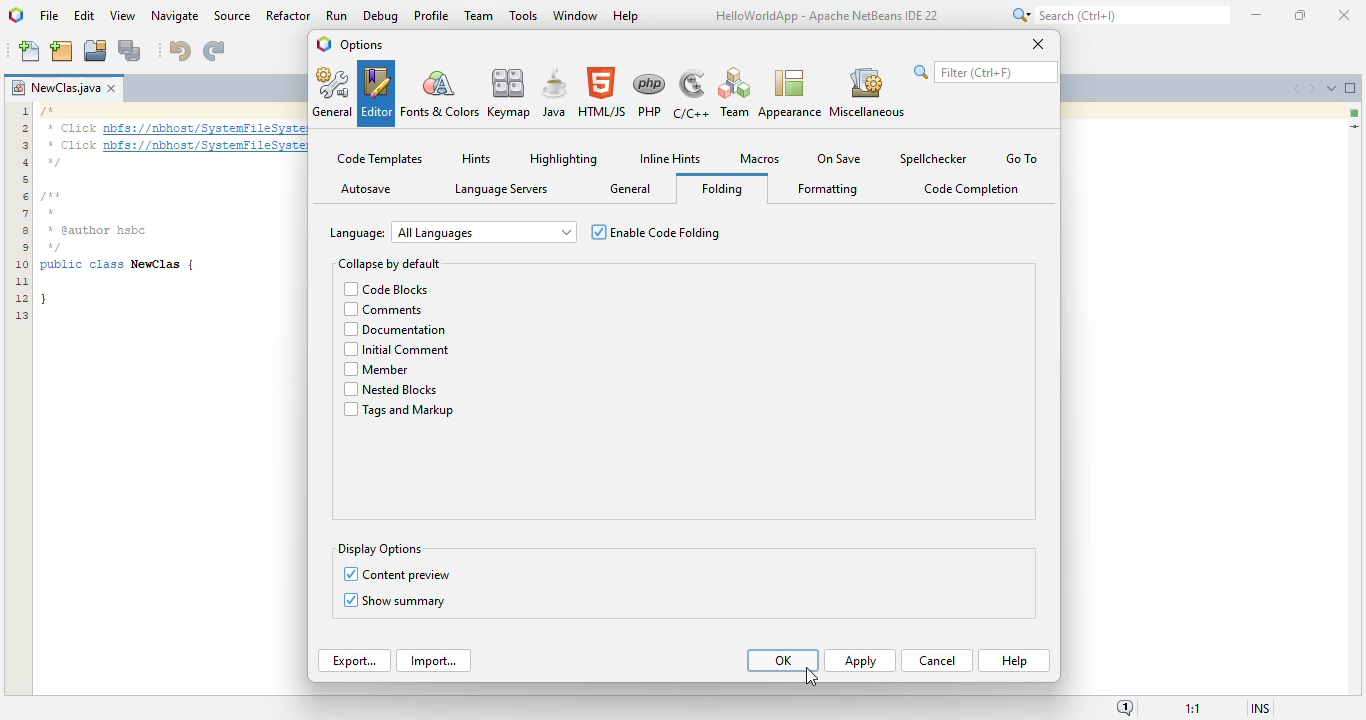 The image size is (1366, 720). I want to click on team, so click(479, 15).